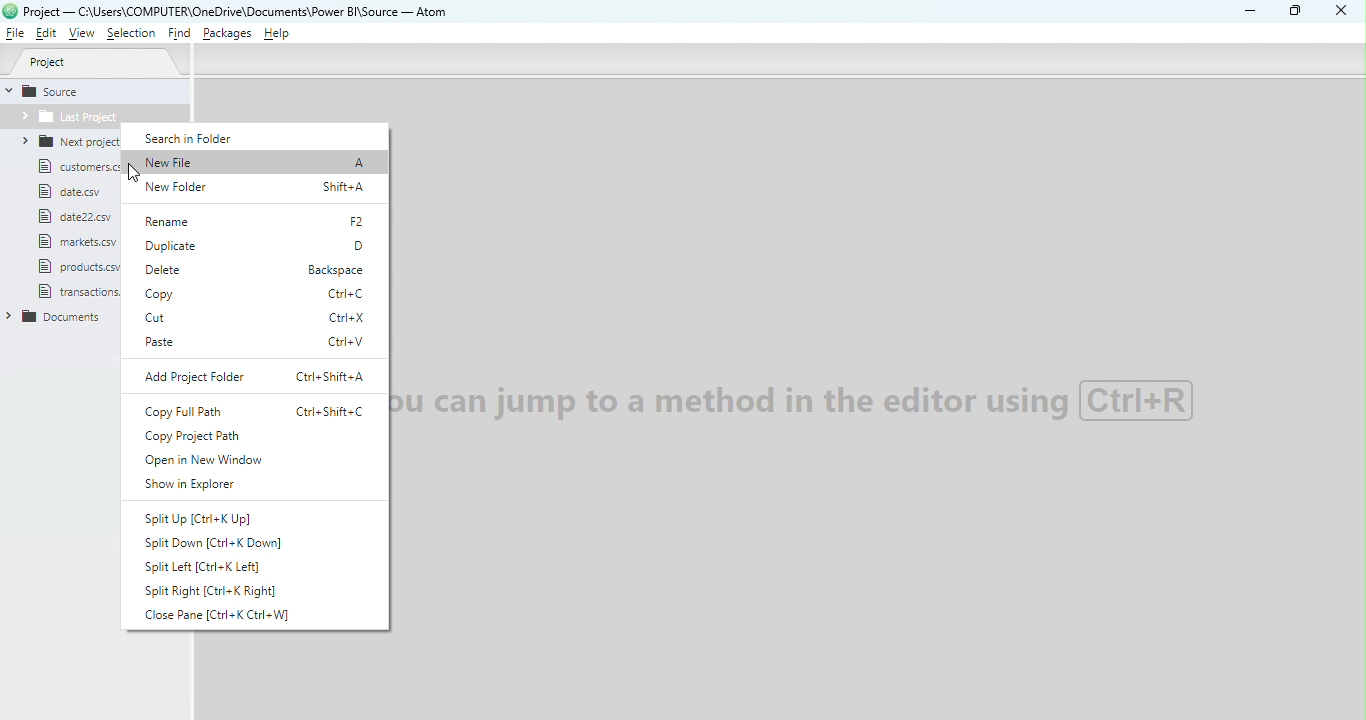 The width and height of the screenshot is (1366, 720). What do you see at coordinates (63, 191) in the screenshot?
I see `file` at bounding box center [63, 191].